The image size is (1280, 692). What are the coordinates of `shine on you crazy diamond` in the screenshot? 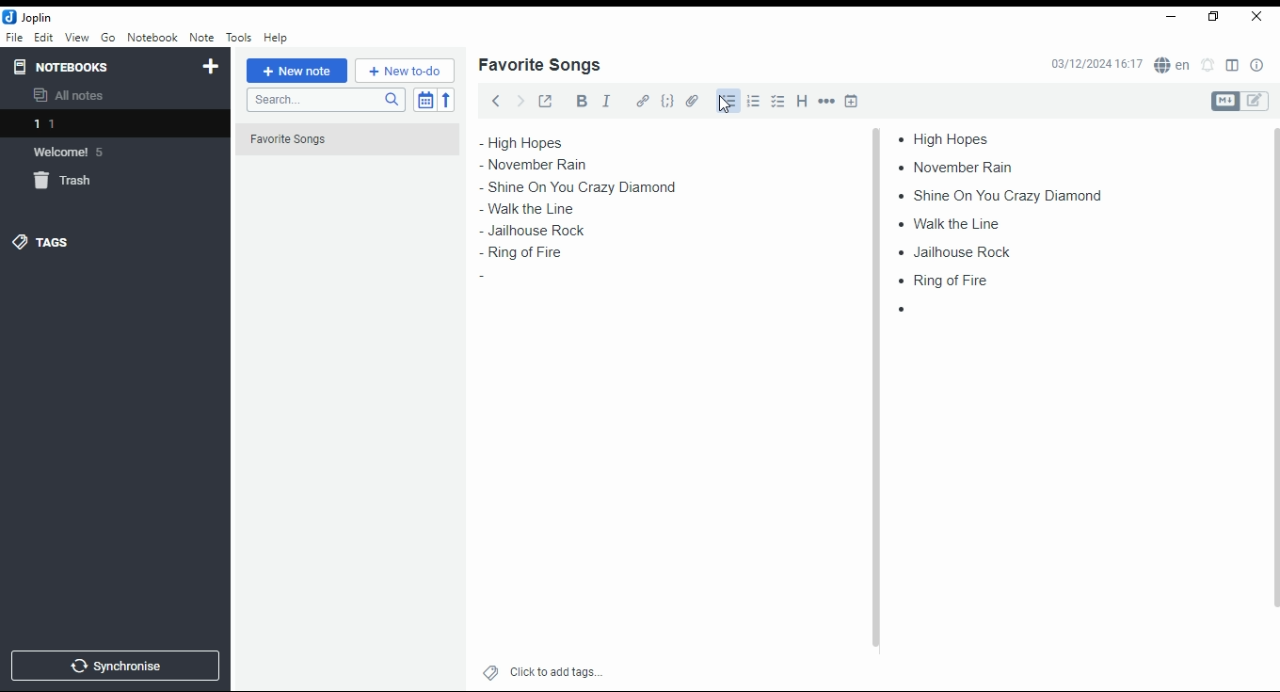 It's located at (584, 186).